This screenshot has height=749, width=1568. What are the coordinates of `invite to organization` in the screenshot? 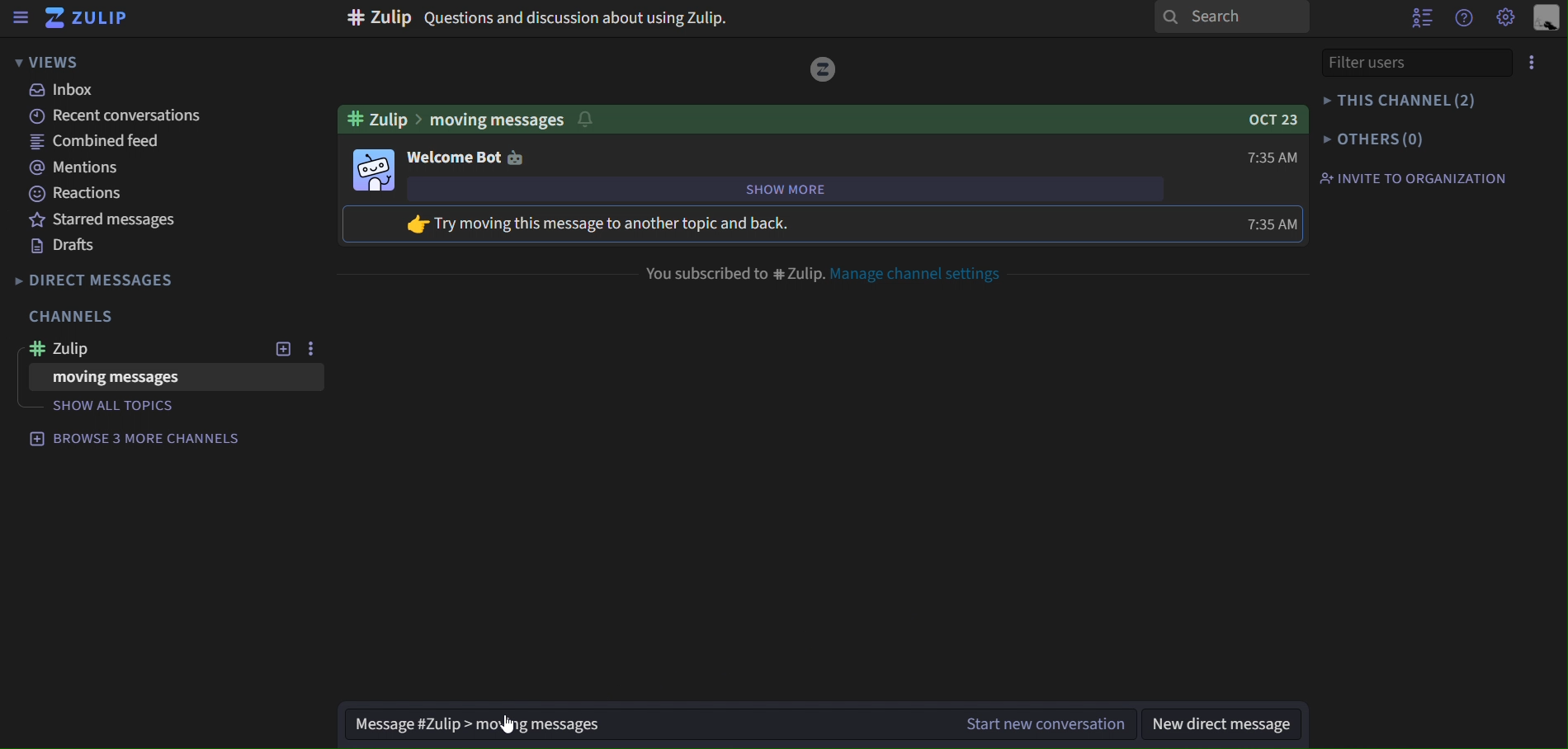 It's located at (1416, 177).